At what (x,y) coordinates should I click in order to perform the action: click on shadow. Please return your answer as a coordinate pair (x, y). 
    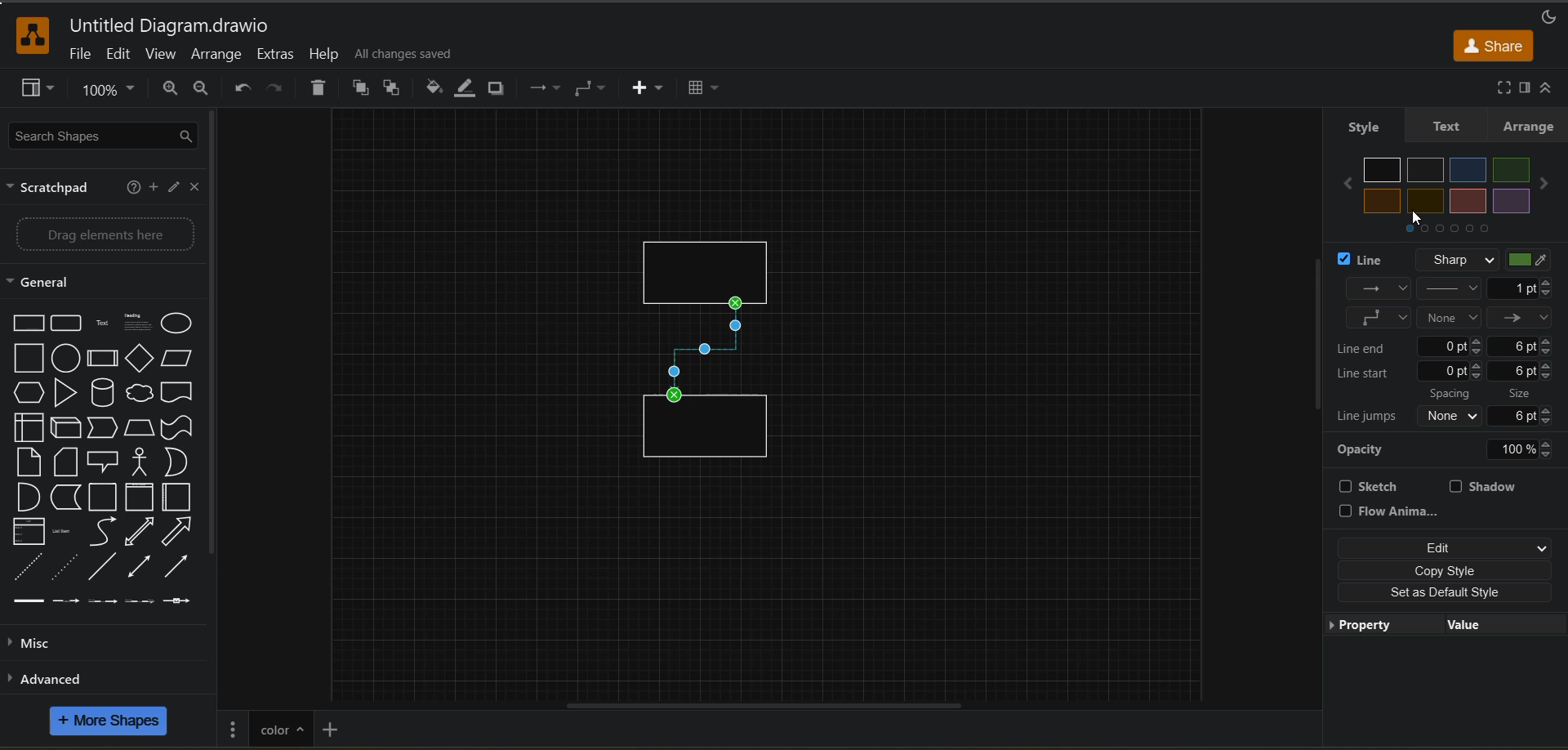
    Looking at the image, I should click on (1487, 486).